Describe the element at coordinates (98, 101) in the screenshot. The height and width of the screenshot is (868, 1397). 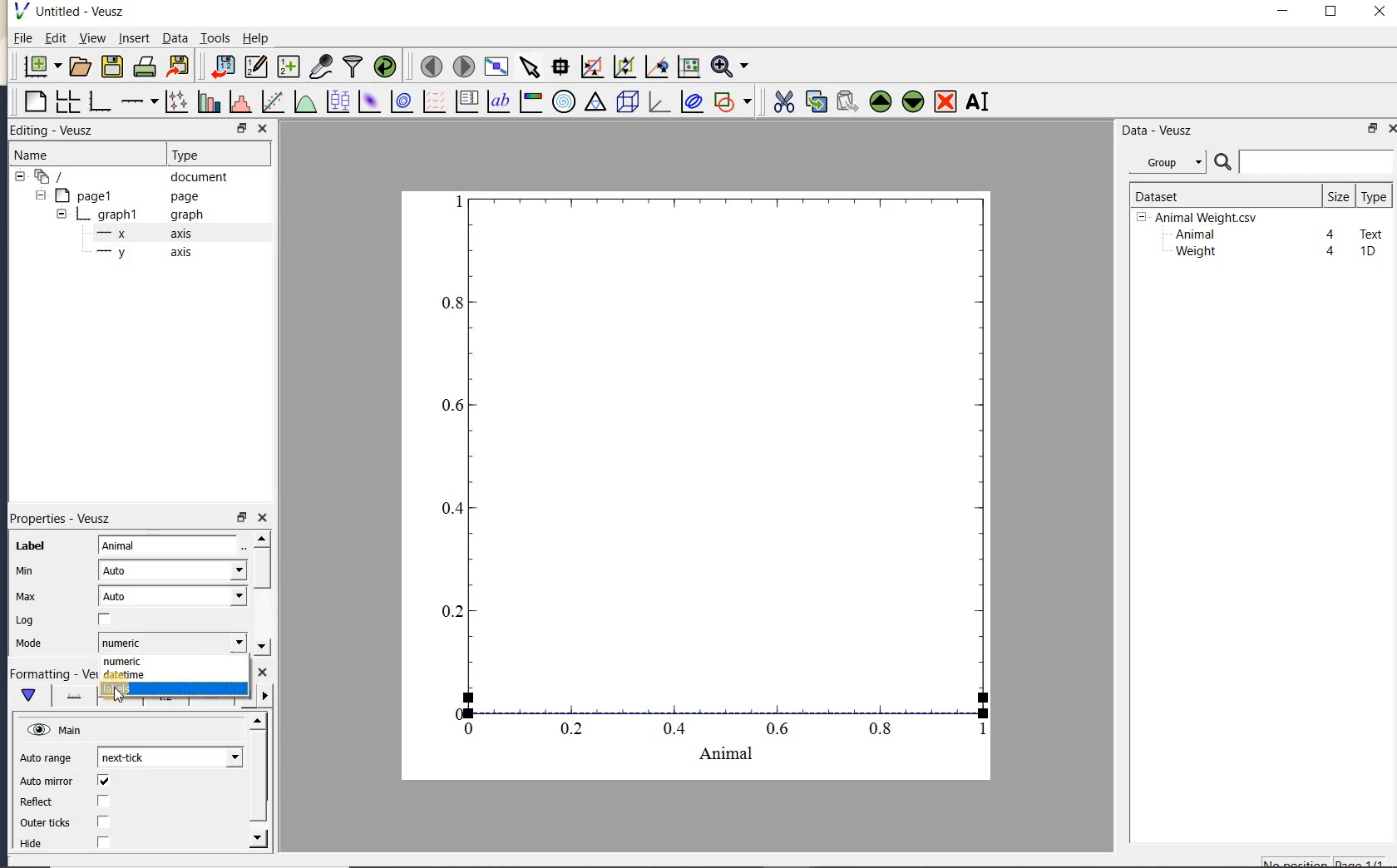
I see `base graph` at that location.